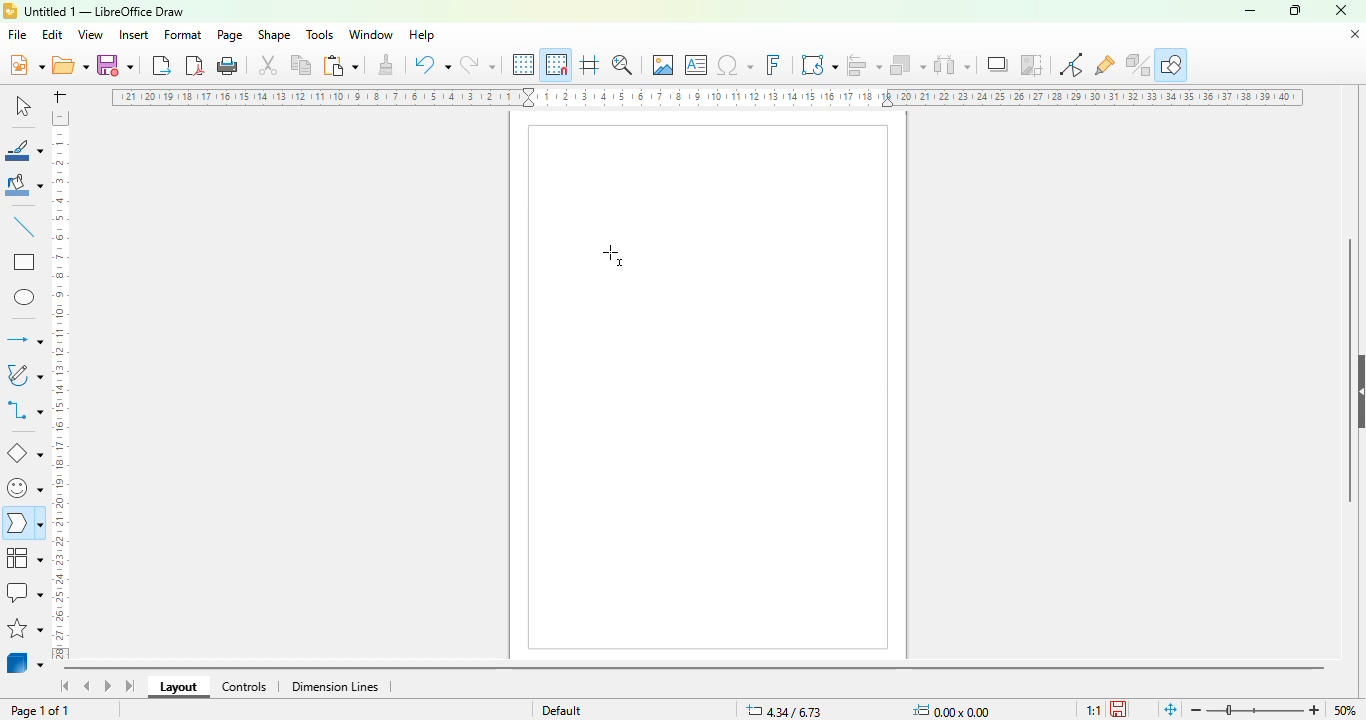 This screenshot has width=1366, height=720. Describe the element at coordinates (25, 185) in the screenshot. I see `fill color` at that location.